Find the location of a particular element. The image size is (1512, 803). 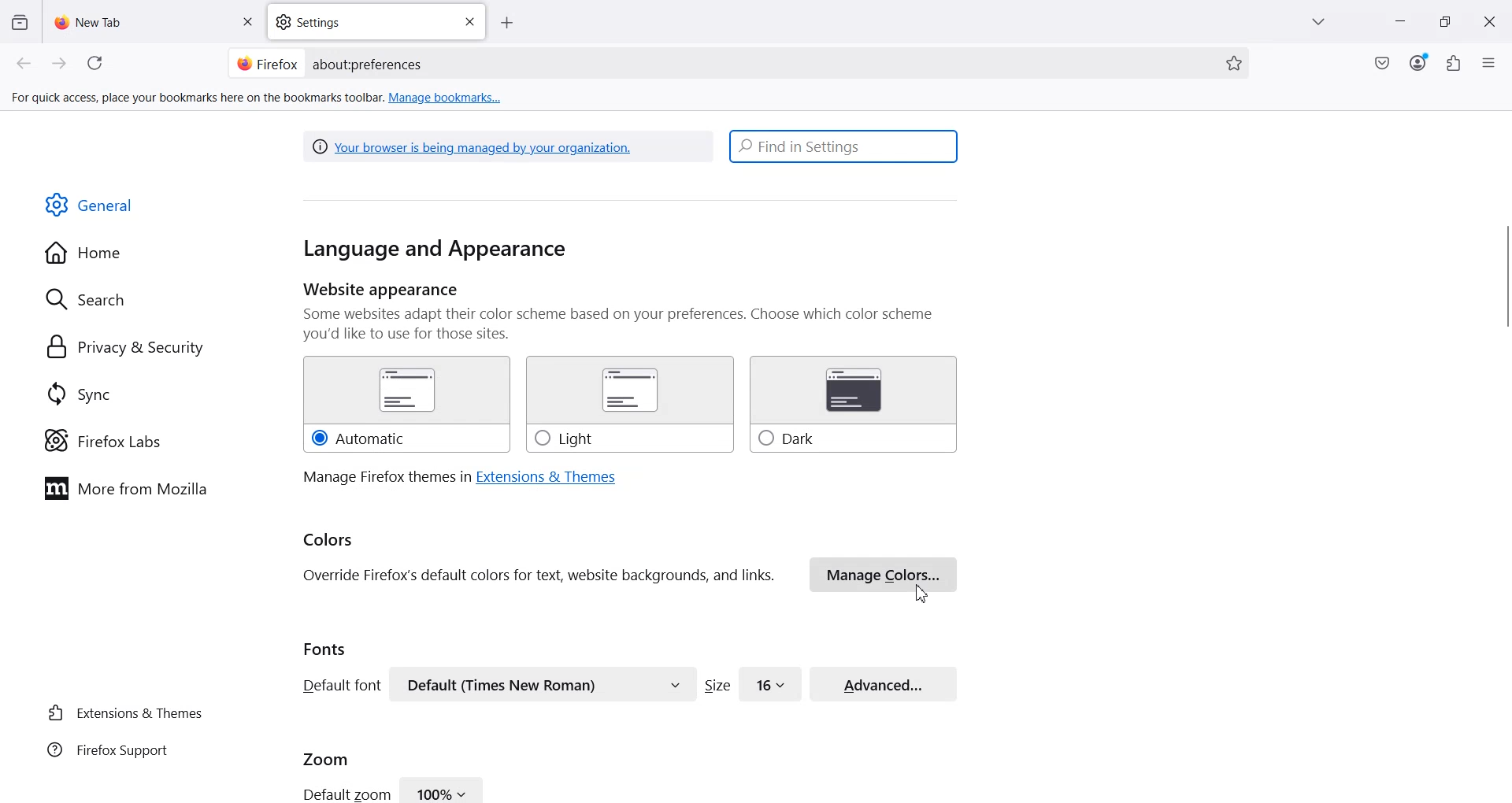

Vertical Scroll bar is located at coordinates (1503, 280).